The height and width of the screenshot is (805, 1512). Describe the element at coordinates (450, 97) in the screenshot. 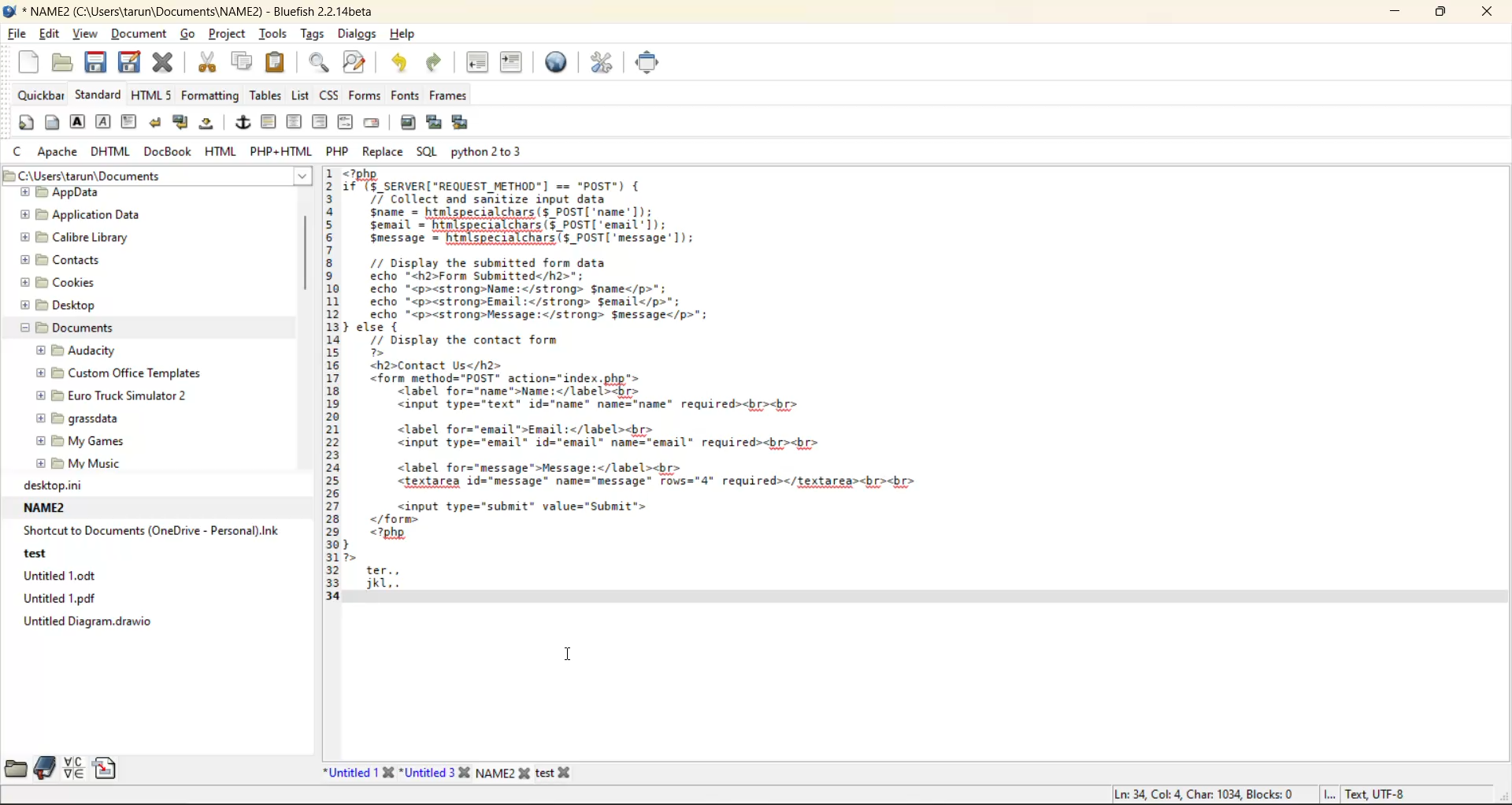

I see `frames` at that location.